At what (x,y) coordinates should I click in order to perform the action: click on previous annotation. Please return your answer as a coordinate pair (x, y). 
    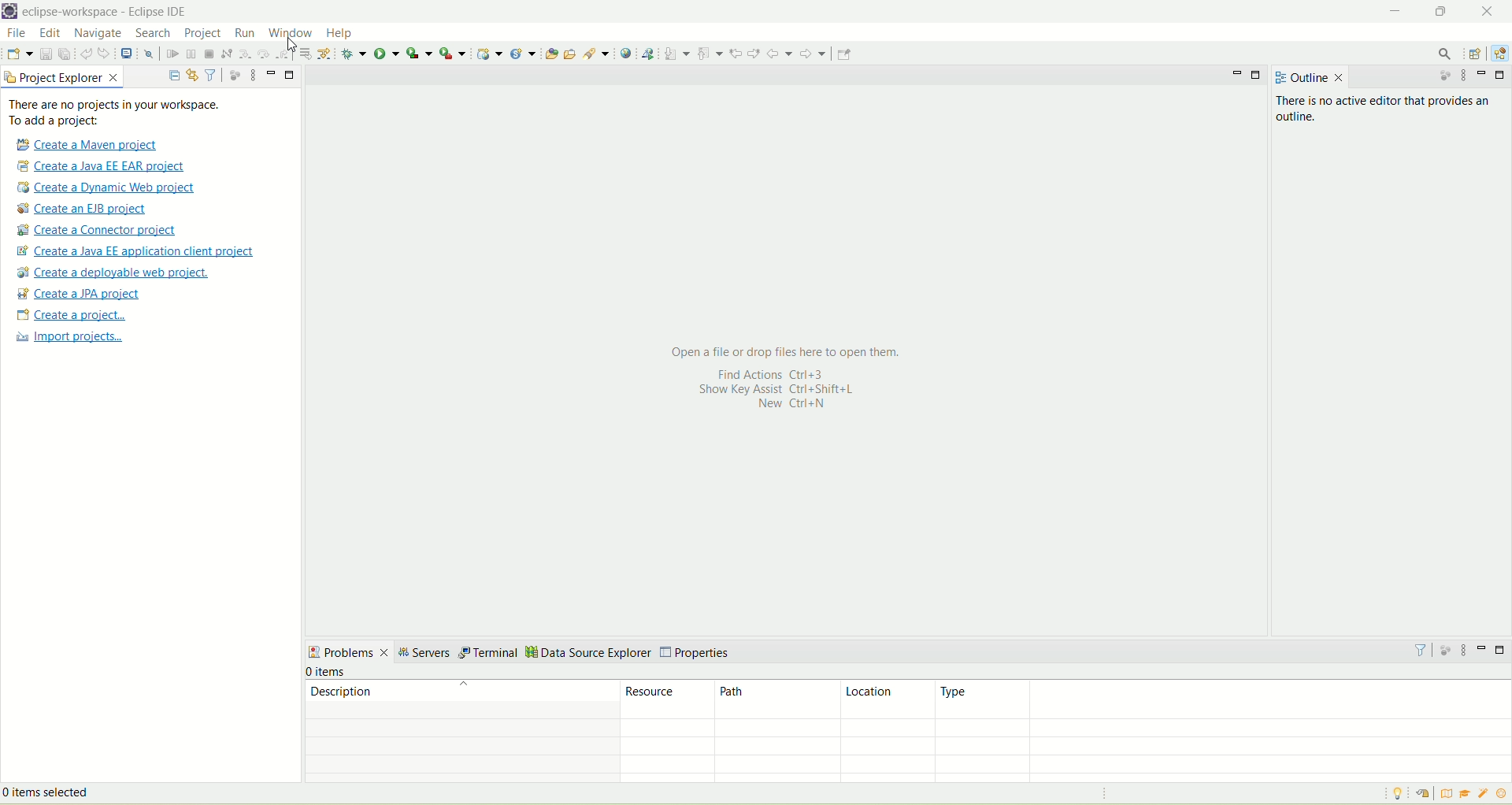
    Looking at the image, I should click on (710, 52).